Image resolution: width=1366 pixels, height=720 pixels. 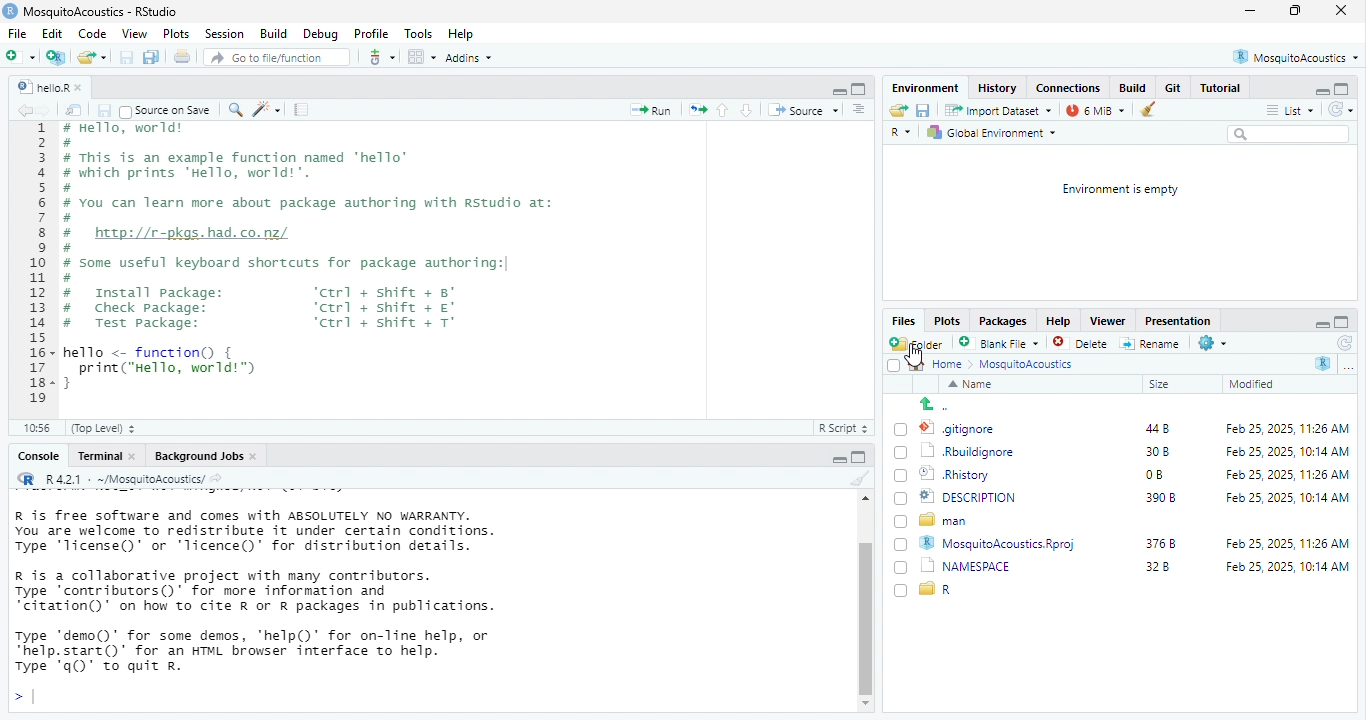 I want to click on refresh, so click(x=1343, y=111).